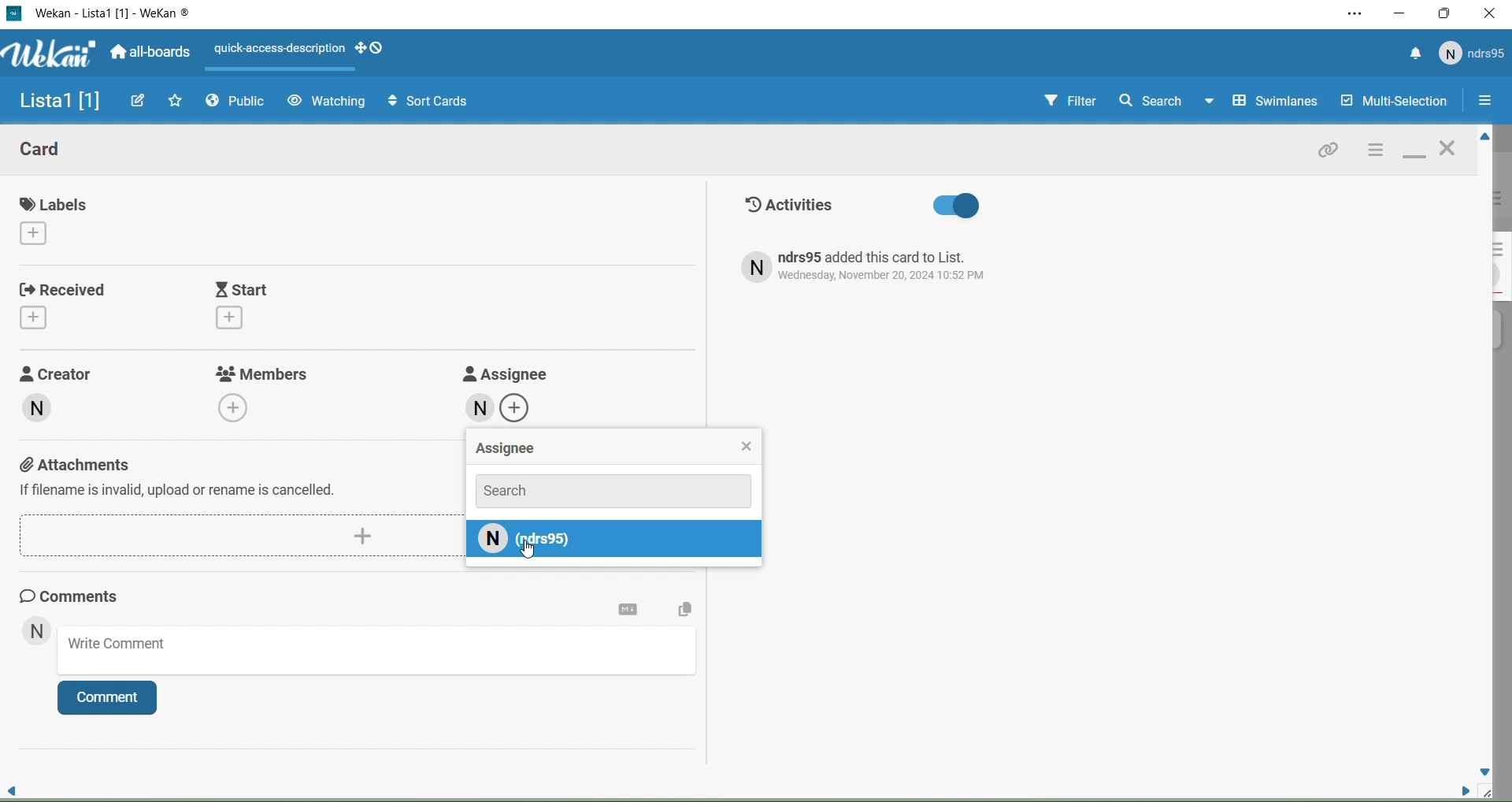  What do you see at coordinates (239, 103) in the screenshot?
I see `Public` at bounding box center [239, 103].